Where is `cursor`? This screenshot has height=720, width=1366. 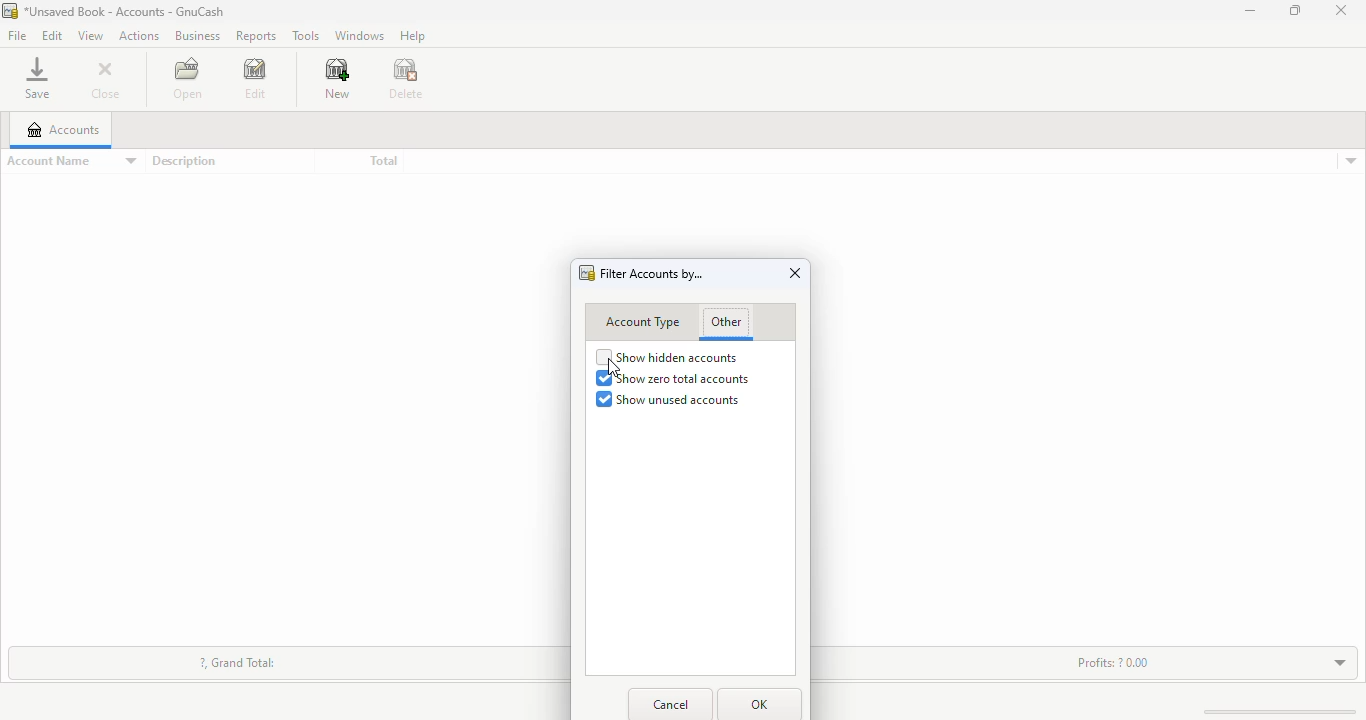
cursor is located at coordinates (612, 367).